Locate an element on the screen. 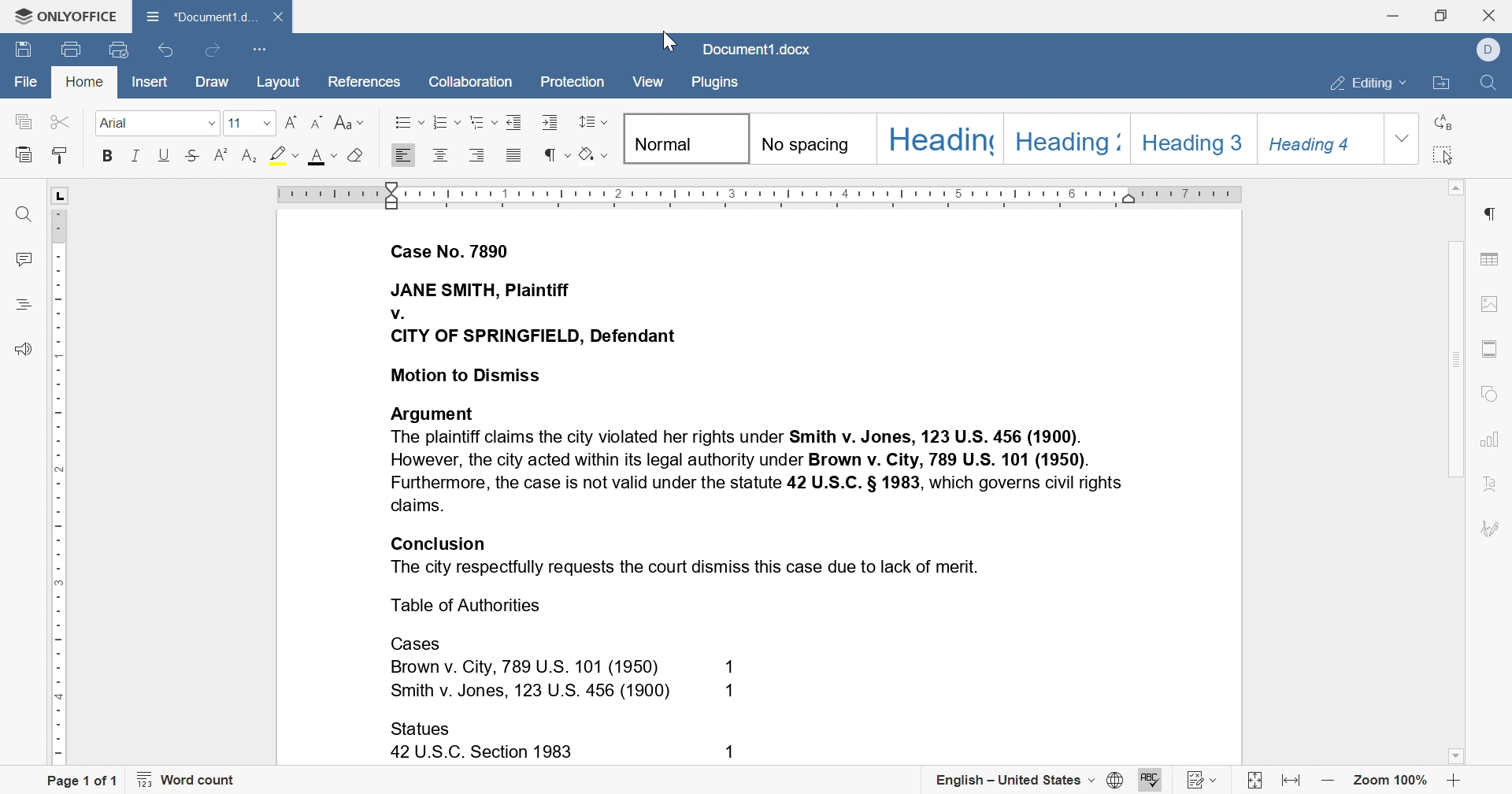  references is located at coordinates (367, 84).